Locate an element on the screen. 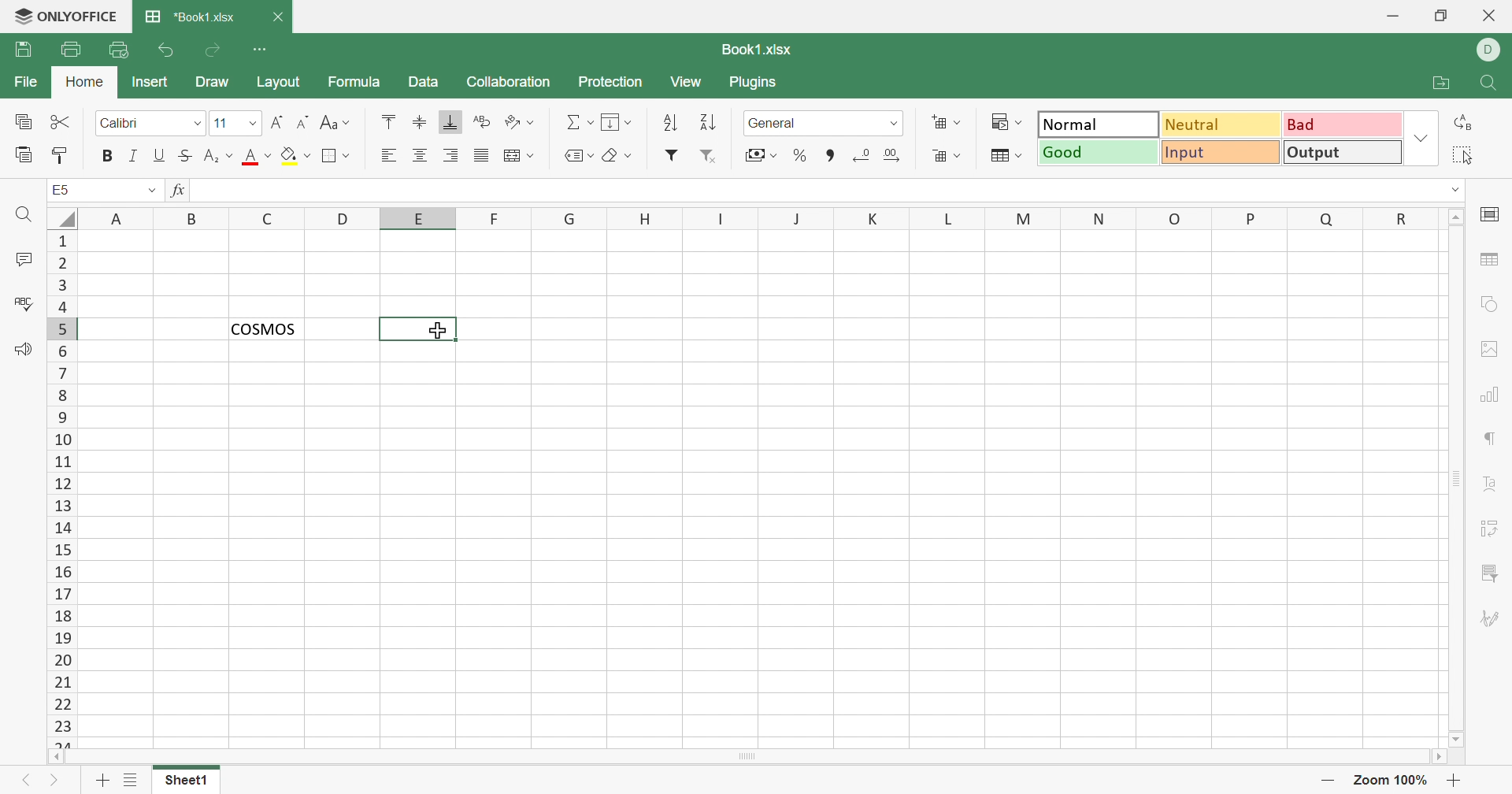 The image size is (1512, 794). Feedback & Support is located at coordinates (25, 351).